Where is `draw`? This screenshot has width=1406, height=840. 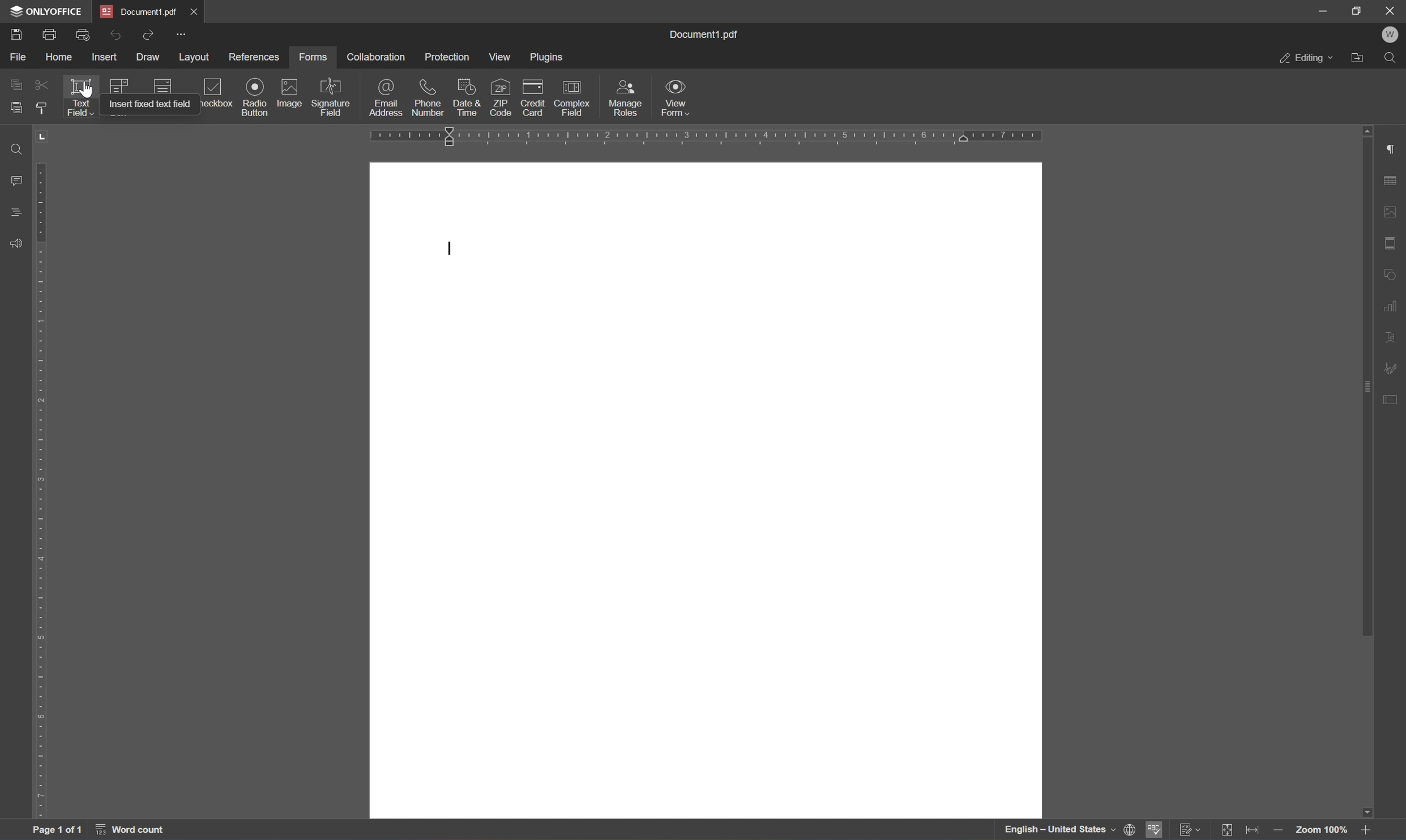 draw is located at coordinates (147, 58).